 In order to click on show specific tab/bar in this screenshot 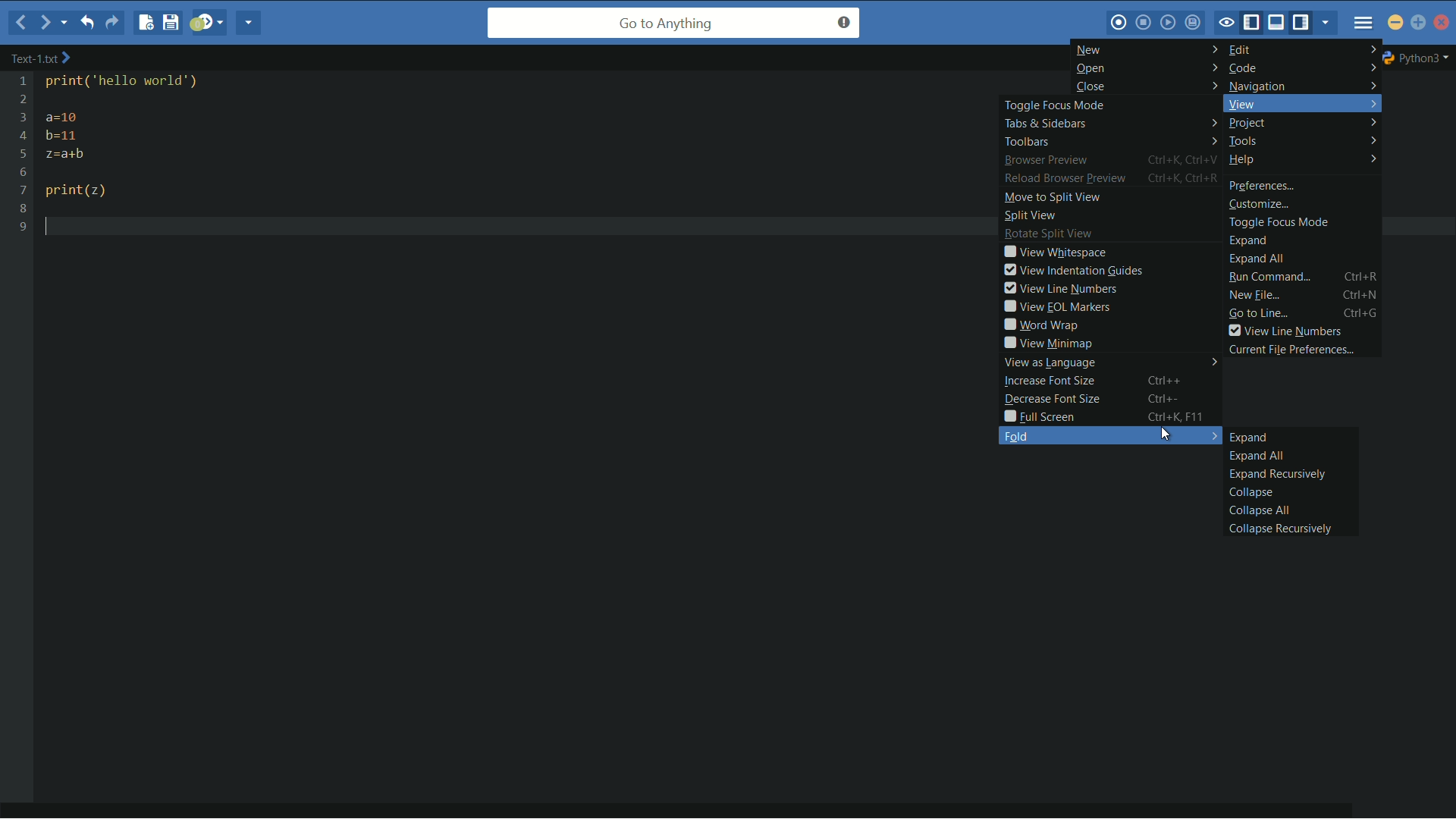, I will do `click(1327, 24)`.